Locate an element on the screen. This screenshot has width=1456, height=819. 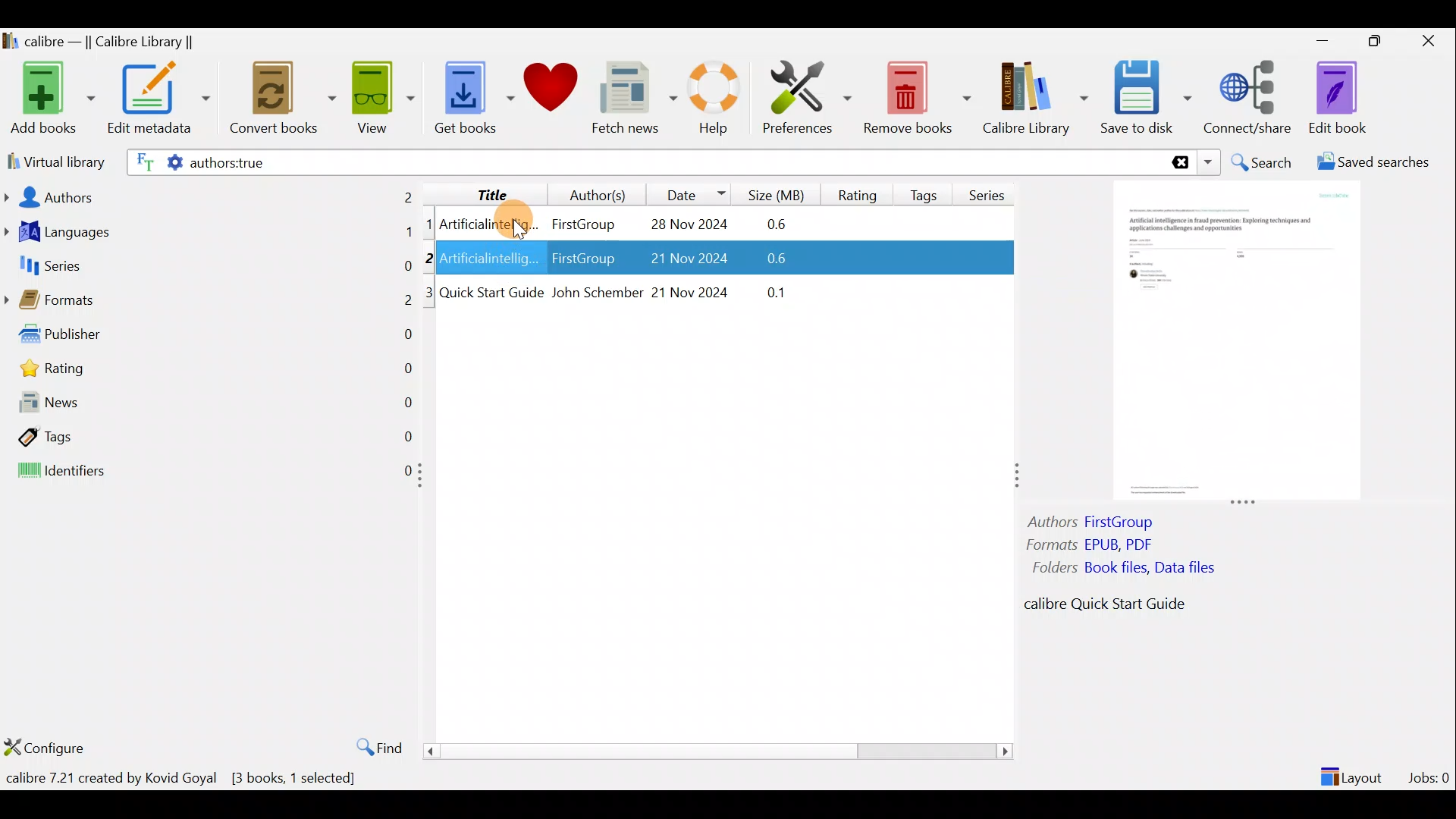
Find is located at coordinates (372, 746).